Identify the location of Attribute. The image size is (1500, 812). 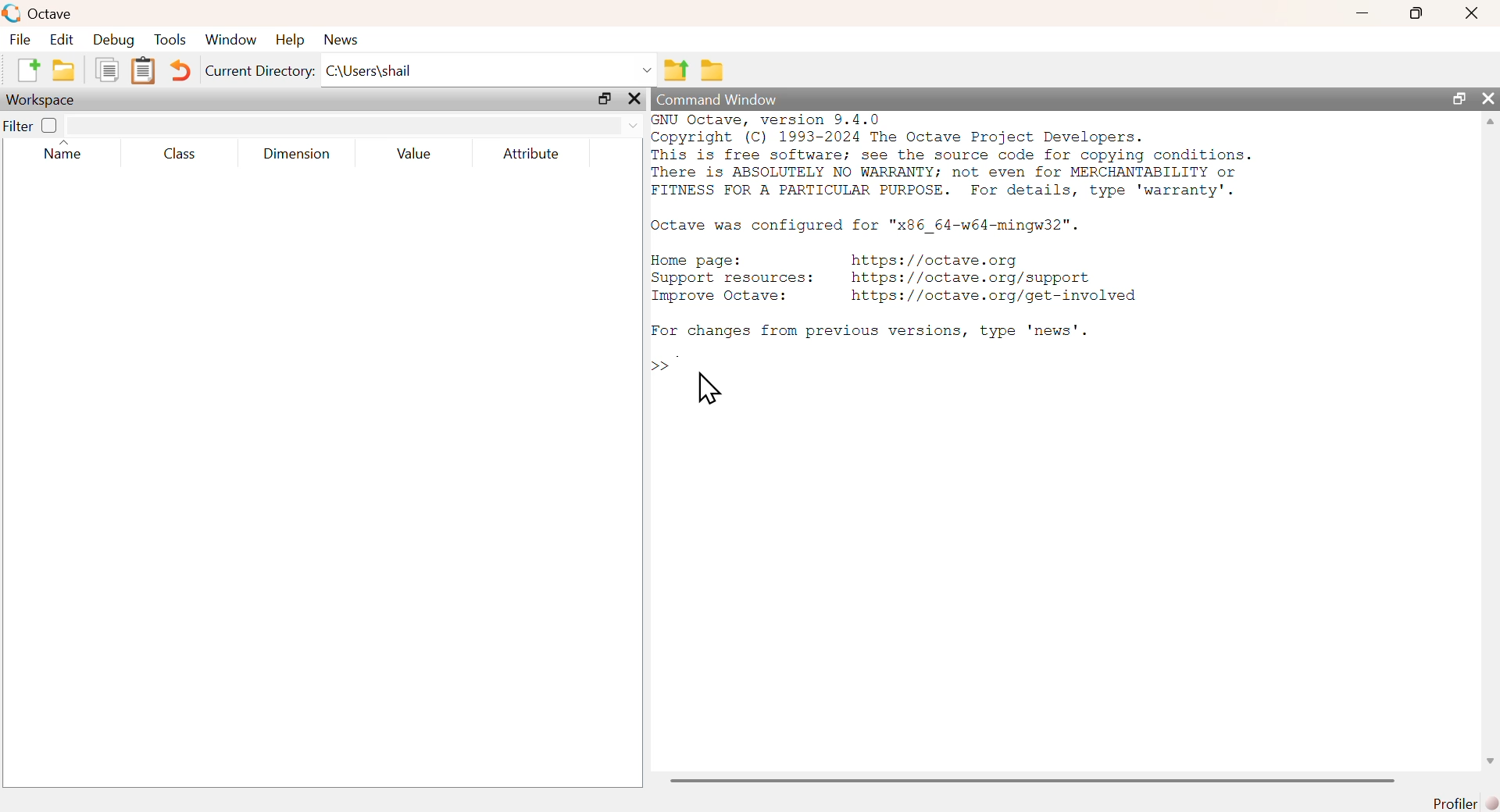
(533, 155).